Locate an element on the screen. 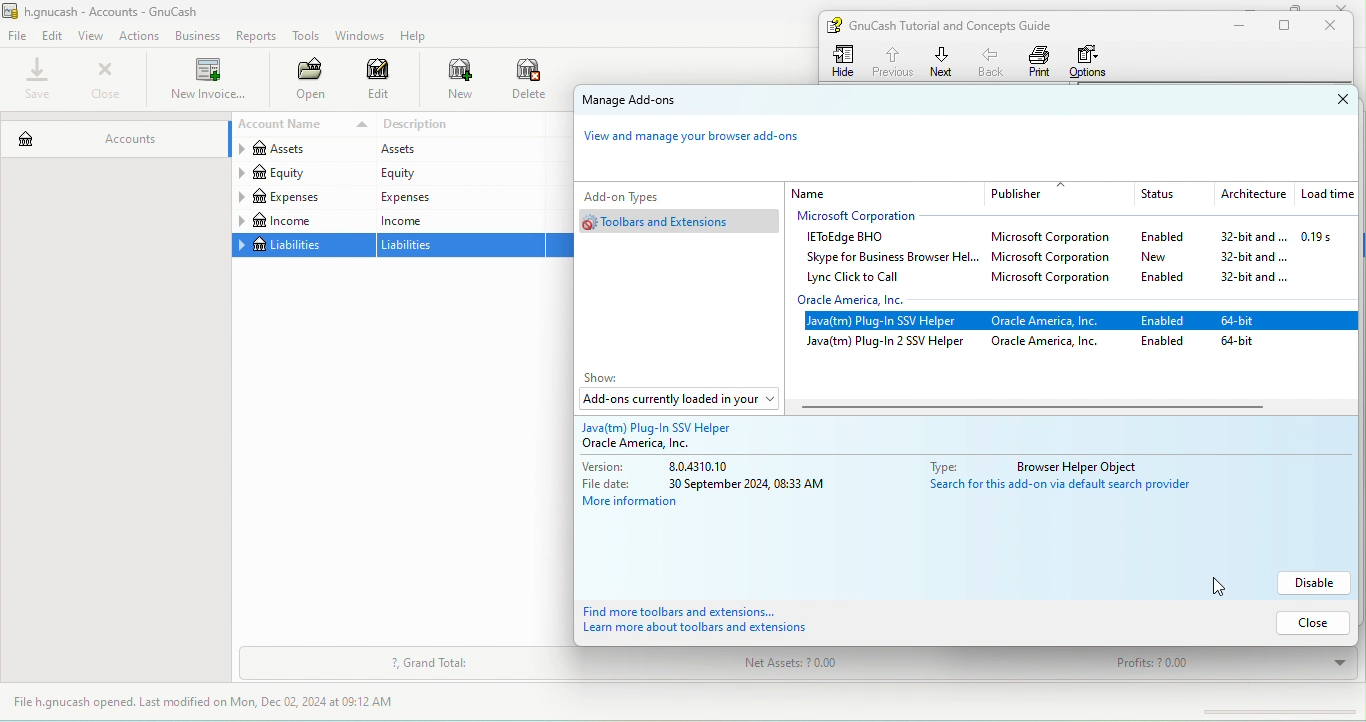  type  is located at coordinates (941, 467).